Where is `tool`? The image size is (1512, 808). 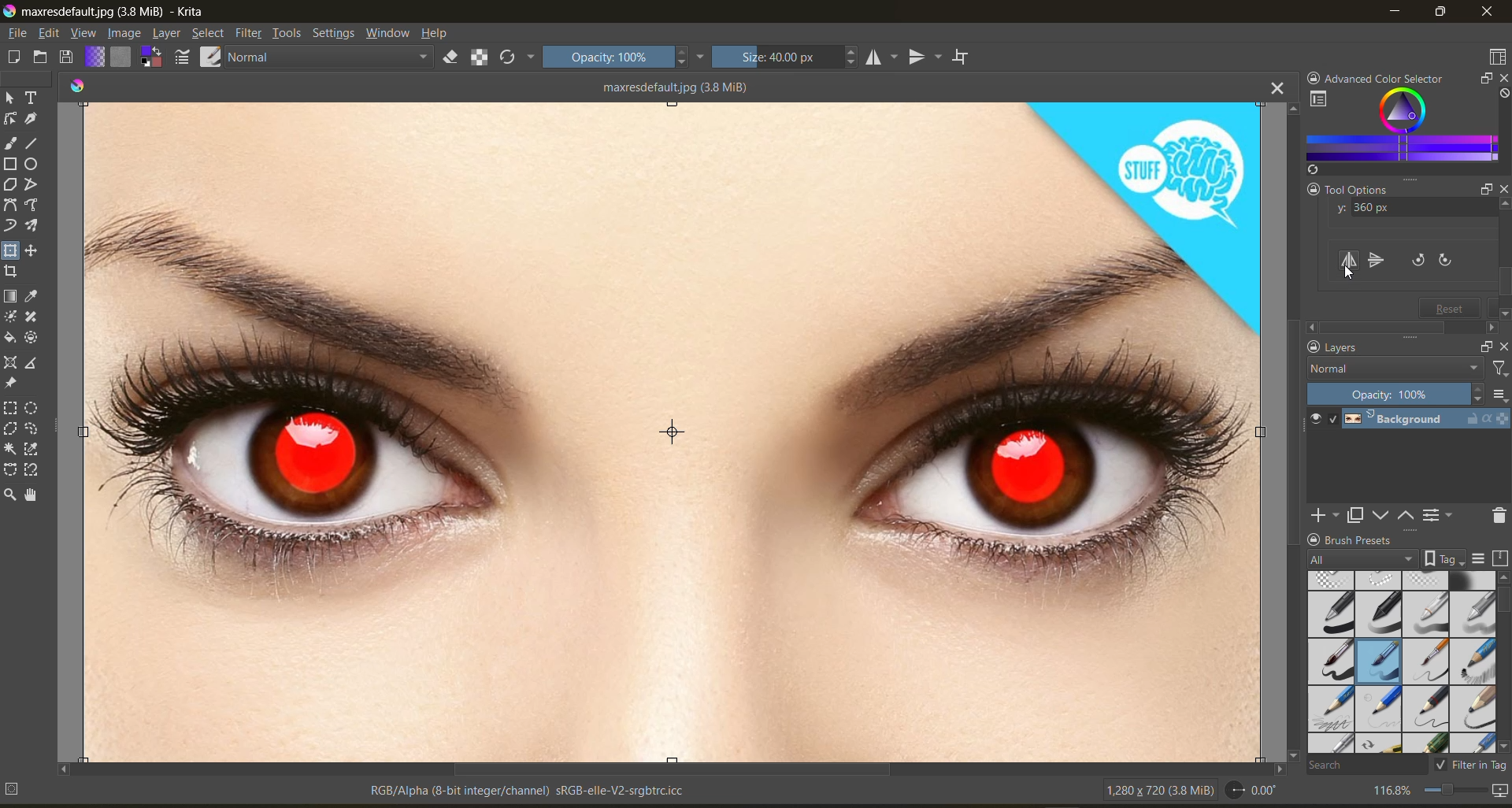 tool is located at coordinates (33, 429).